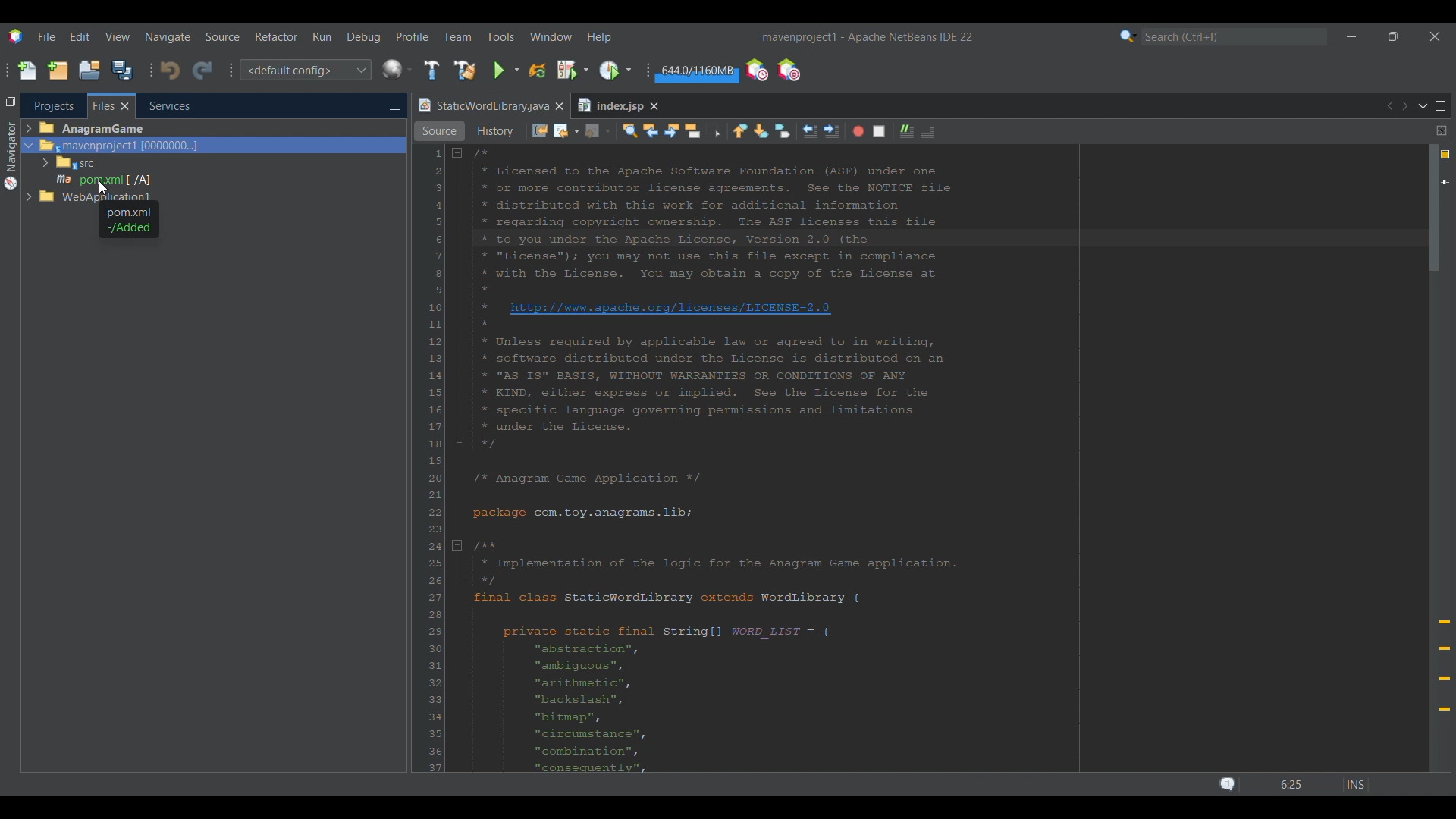 The height and width of the screenshot is (819, 1456). What do you see at coordinates (1128, 36) in the screenshot?
I see `Search category selection` at bounding box center [1128, 36].